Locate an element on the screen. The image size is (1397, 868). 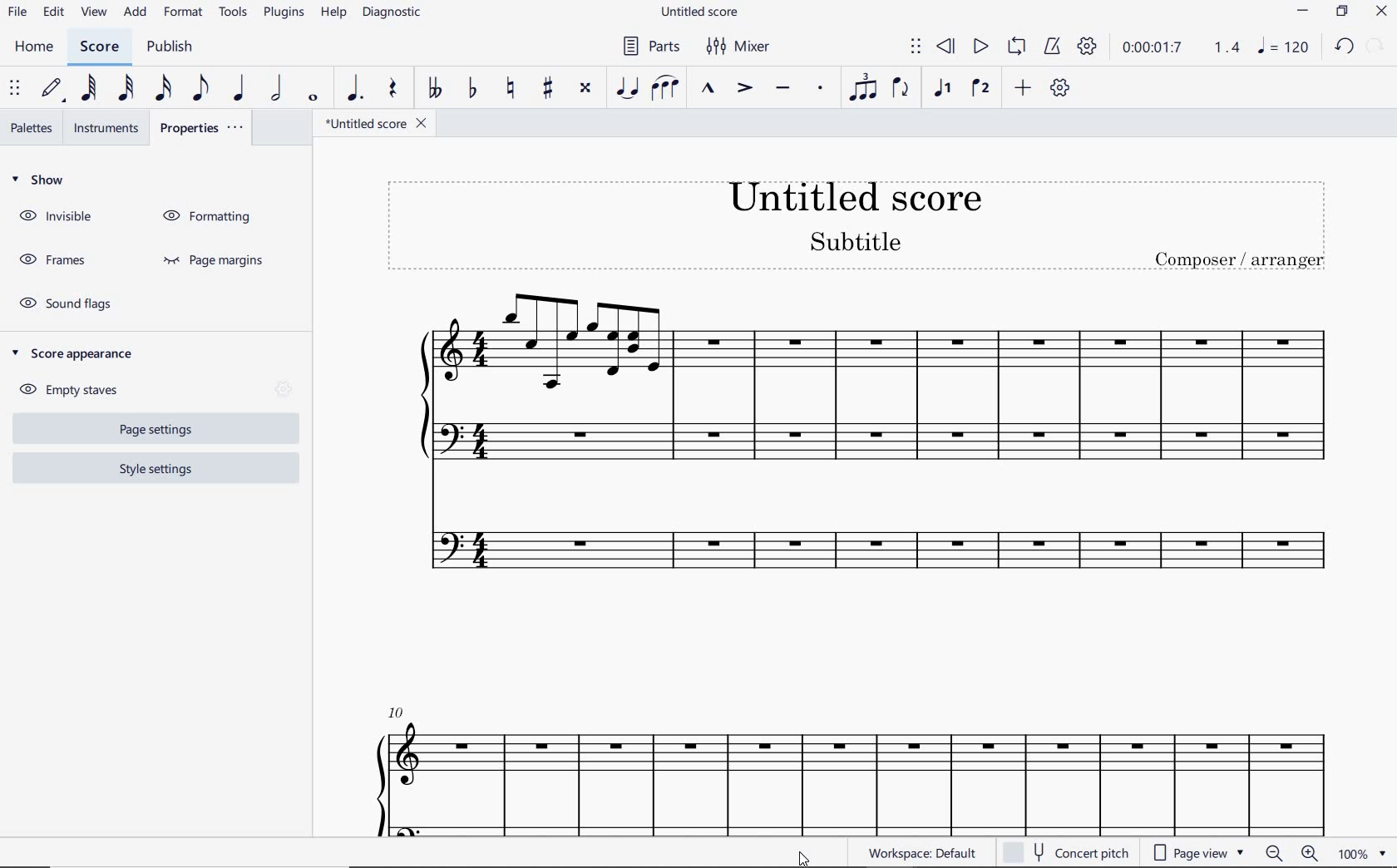
METRONOME is located at coordinates (1054, 45).